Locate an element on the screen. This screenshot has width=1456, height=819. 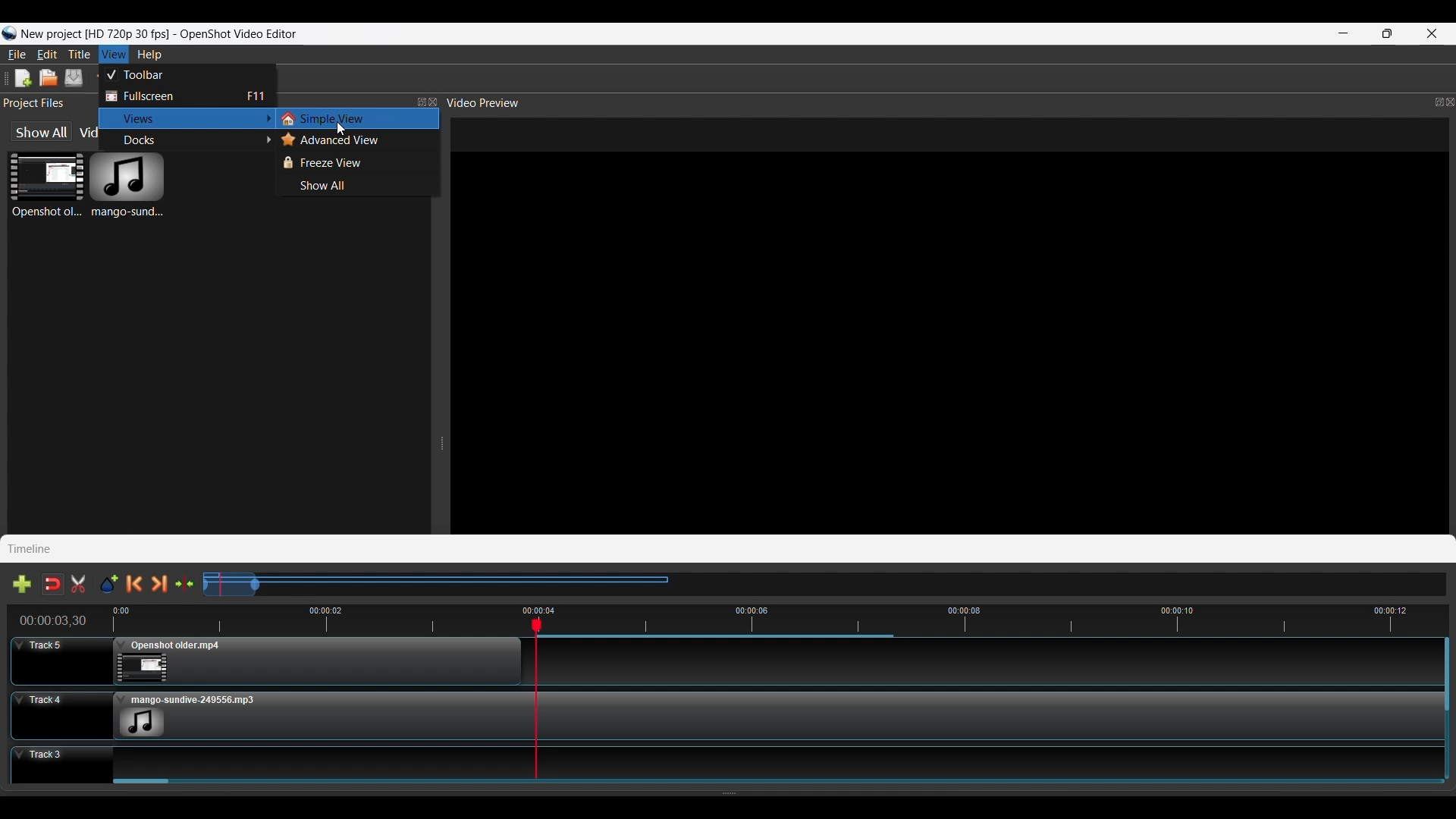
File is located at coordinates (17, 55).